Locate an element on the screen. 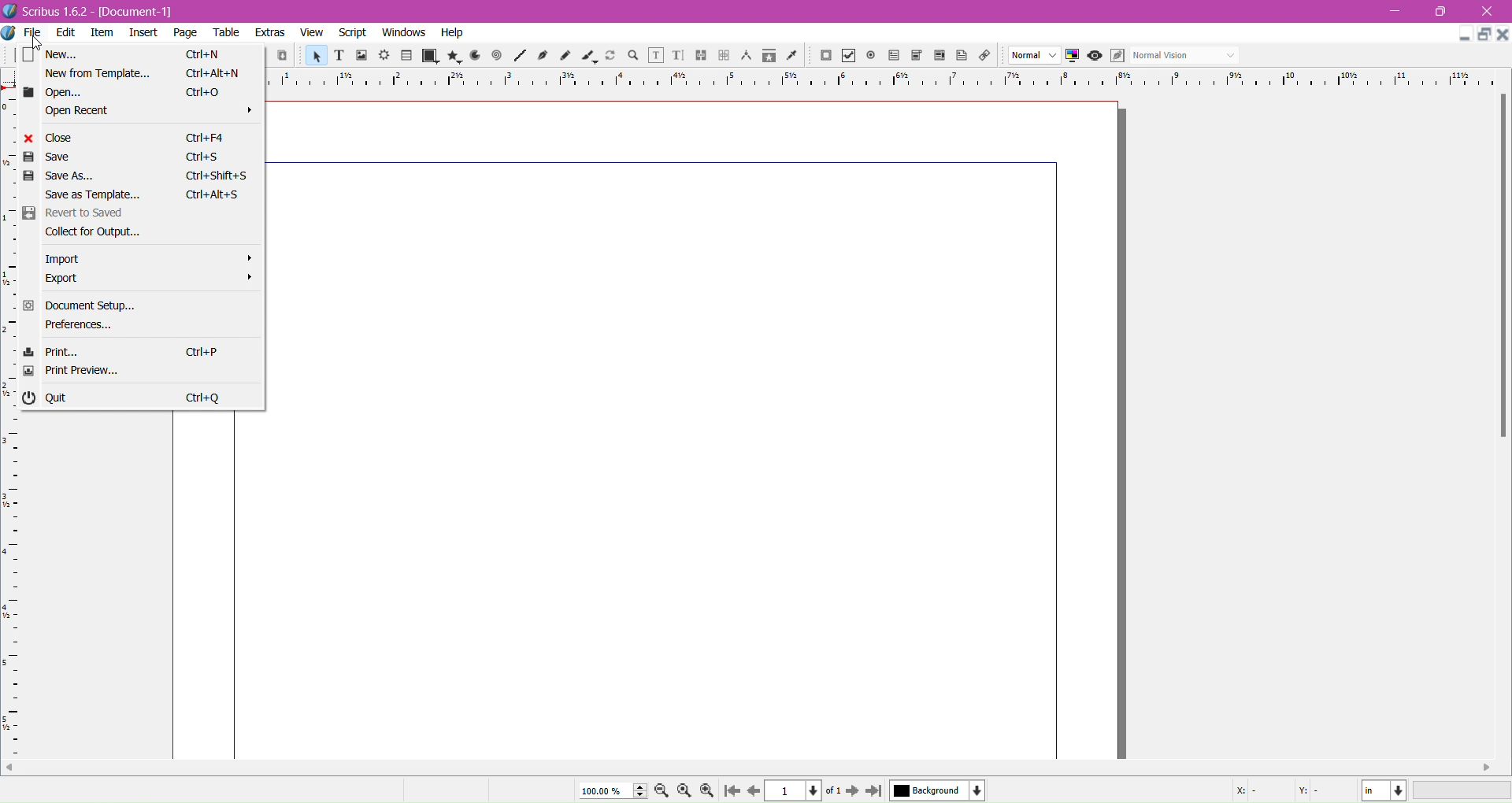 This screenshot has width=1512, height=803. Zoom to 100% is located at coordinates (683, 791).